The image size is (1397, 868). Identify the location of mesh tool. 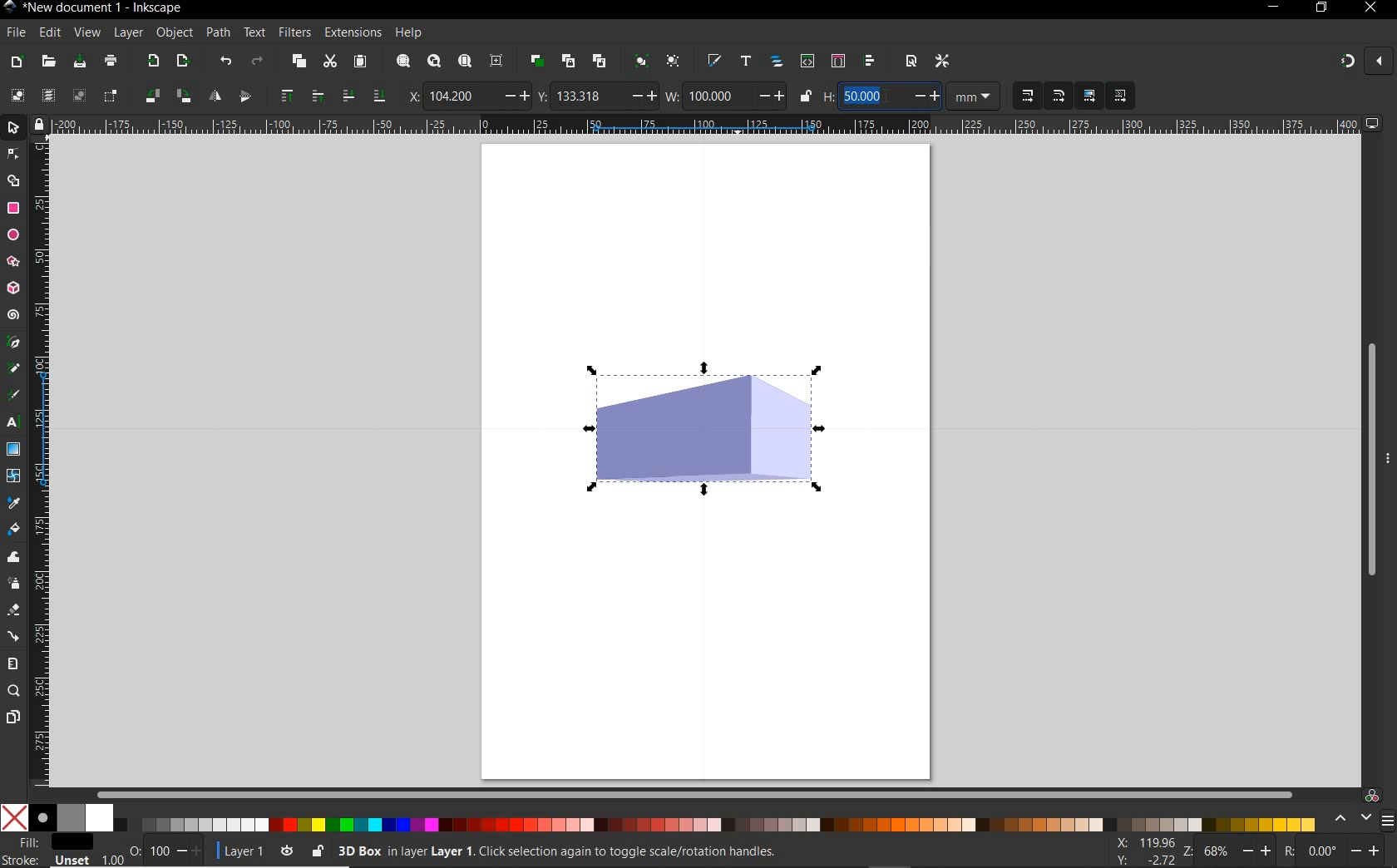
(14, 477).